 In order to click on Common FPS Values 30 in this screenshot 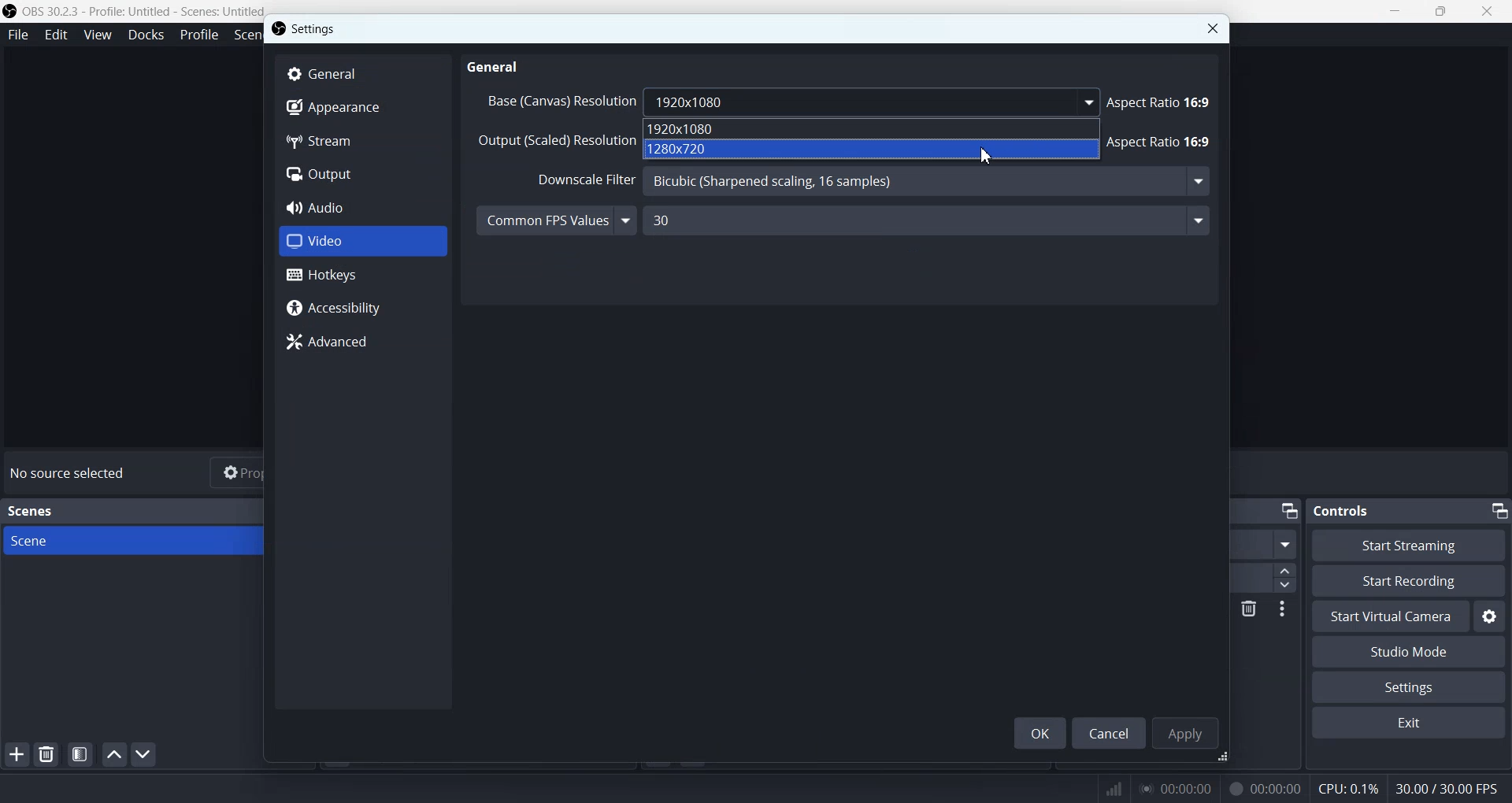, I will do `click(843, 223)`.